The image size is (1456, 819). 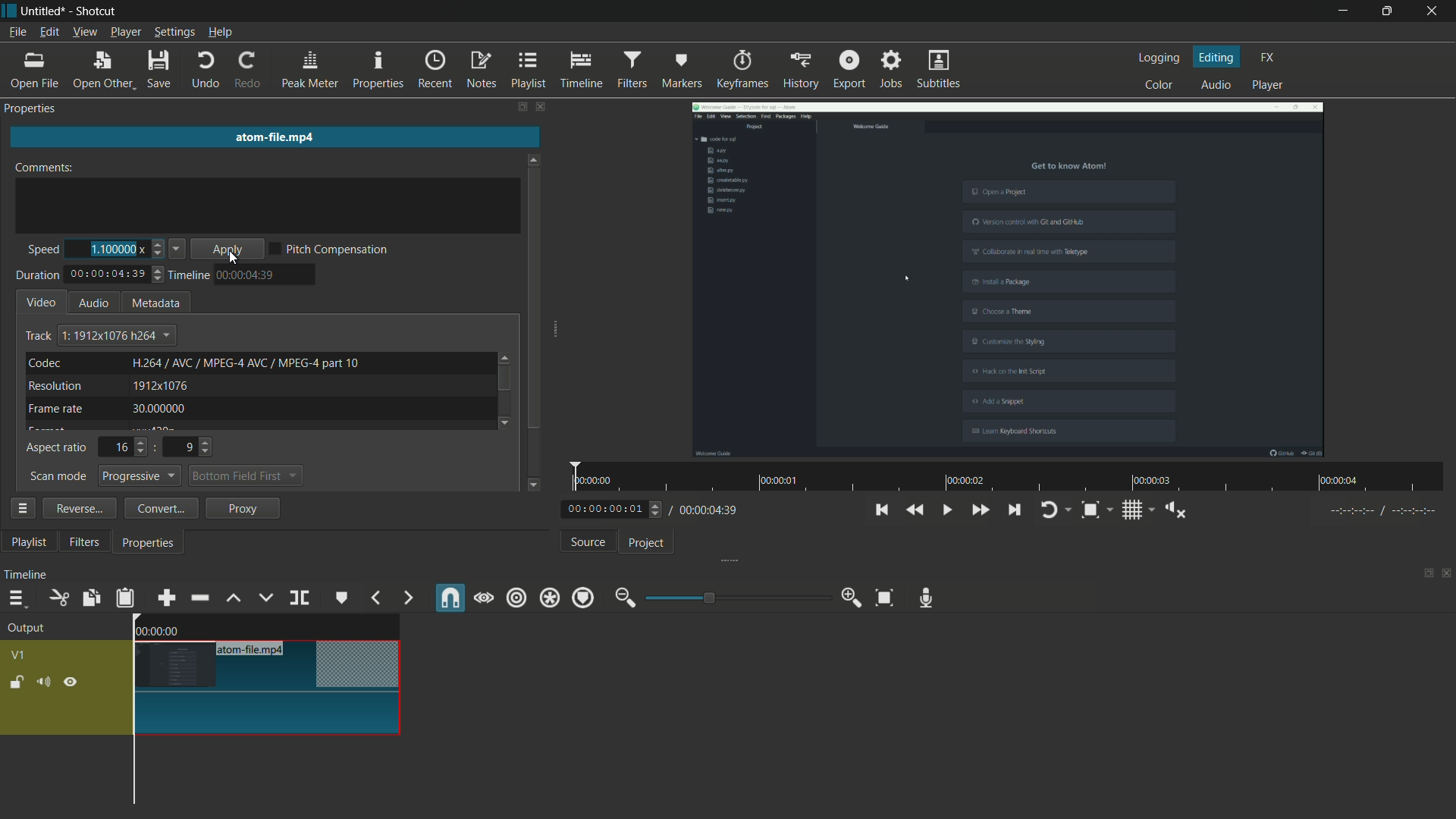 What do you see at coordinates (25, 574) in the screenshot?
I see `timeline` at bounding box center [25, 574].